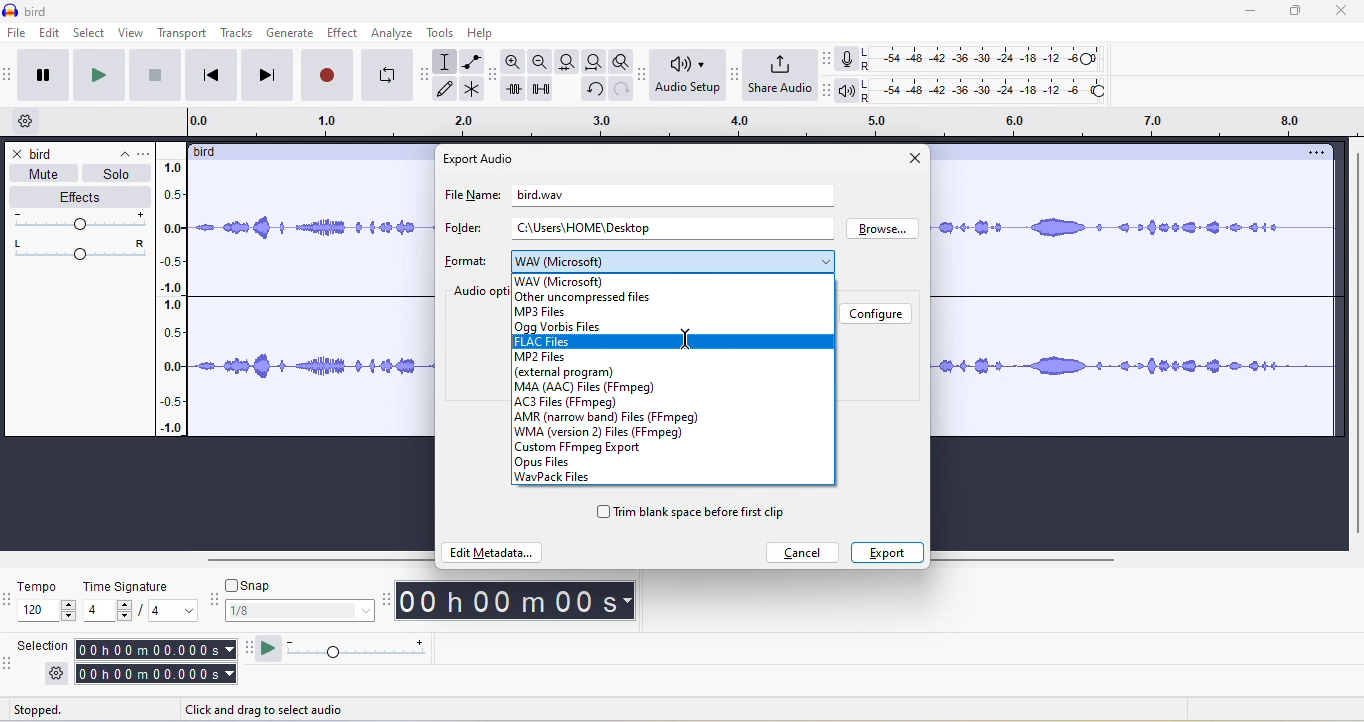 This screenshot has height=722, width=1364. What do you see at coordinates (240, 34) in the screenshot?
I see `tracks` at bounding box center [240, 34].